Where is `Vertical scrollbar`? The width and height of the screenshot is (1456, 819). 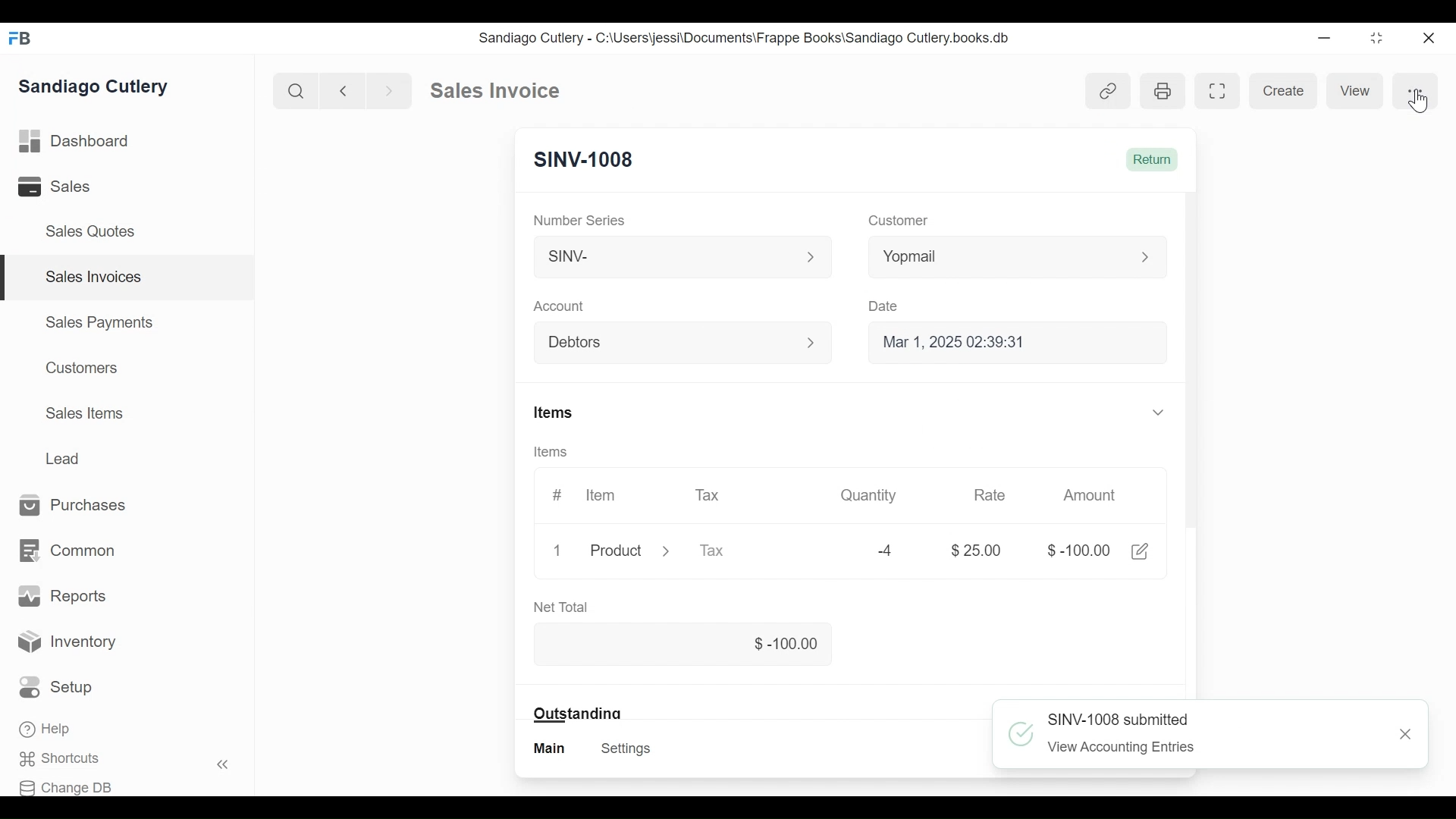 Vertical scrollbar is located at coordinates (1194, 364).